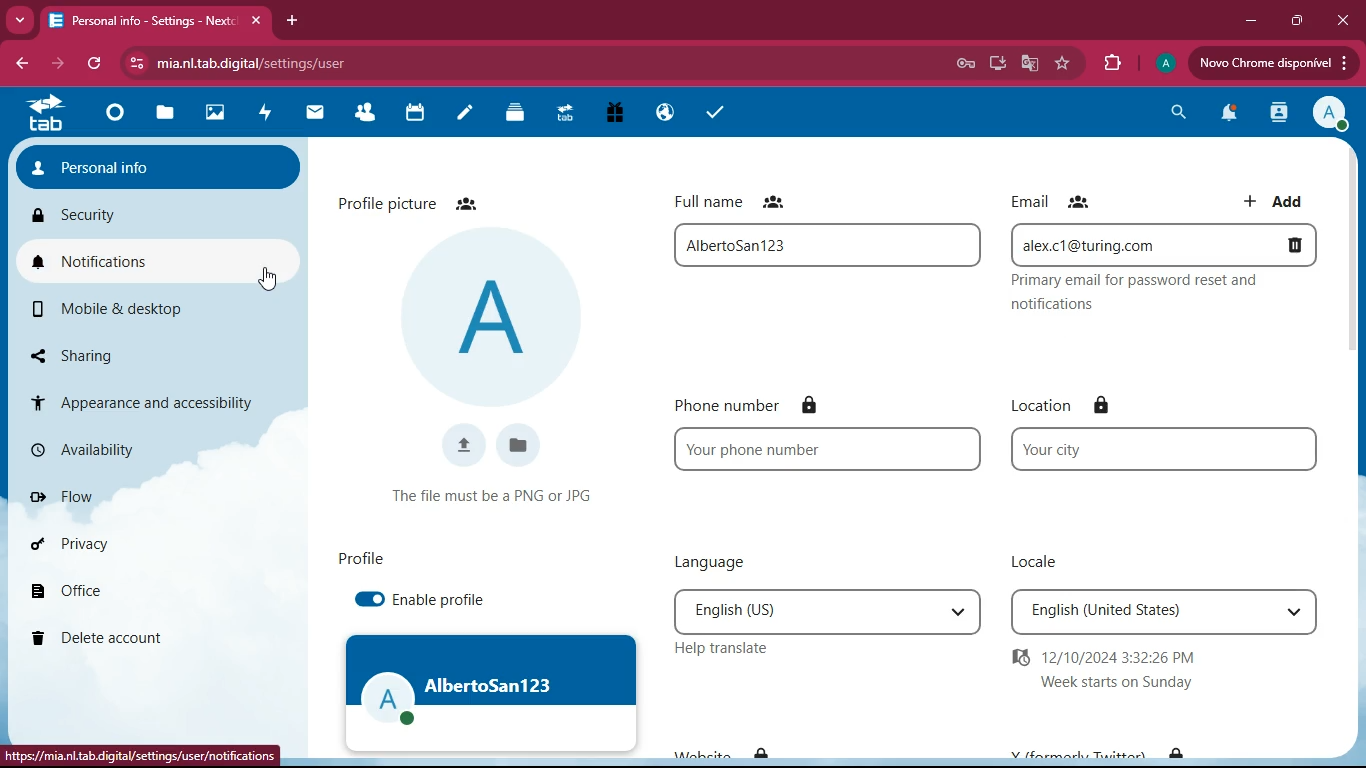 This screenshot has width=1366, height=768. Describe the element at coordinates (422, 201) in the screenshot. I see `profile picture` at that location.